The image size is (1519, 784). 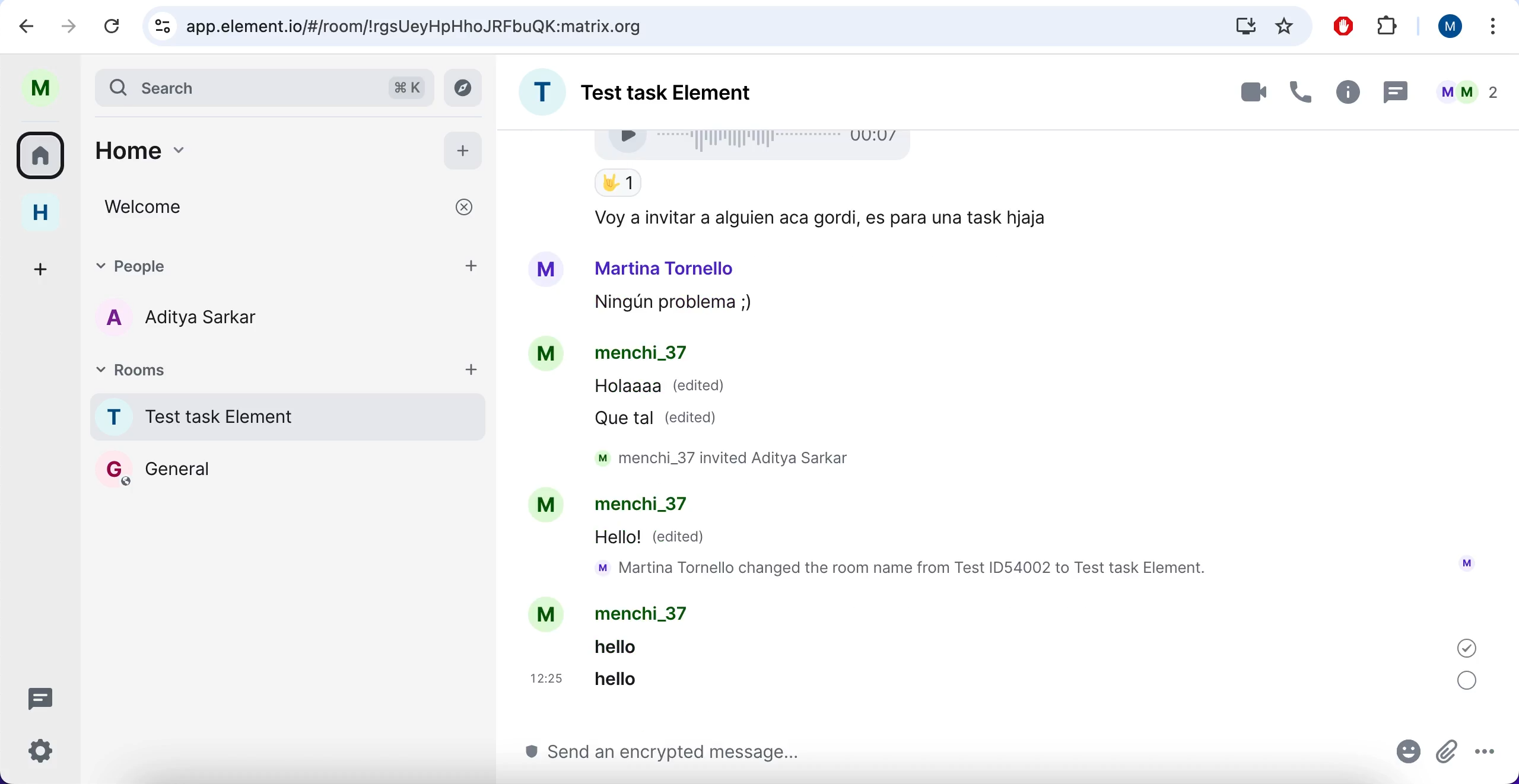 I want to click on home, so click(x=49, y=213).